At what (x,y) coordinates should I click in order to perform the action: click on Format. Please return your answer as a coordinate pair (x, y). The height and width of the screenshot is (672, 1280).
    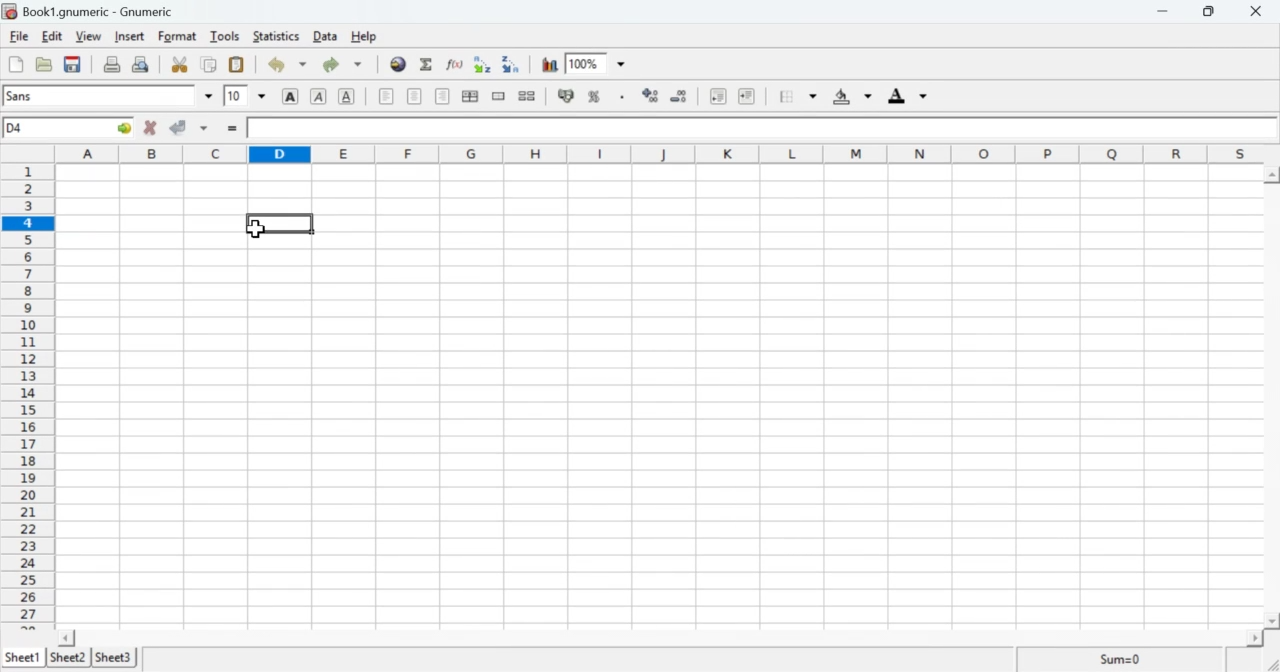
    Looking at the image, I should click on (176, 37).